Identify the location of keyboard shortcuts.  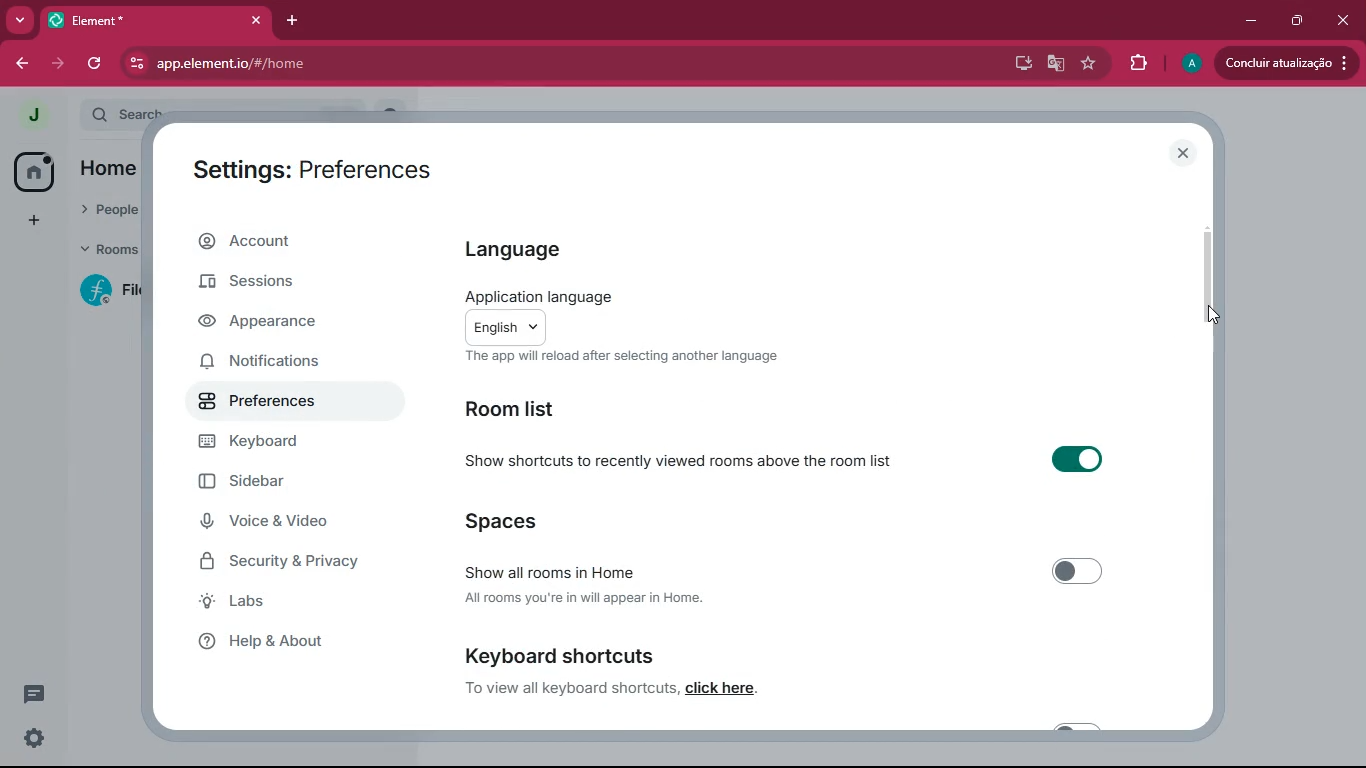
(557, 656).